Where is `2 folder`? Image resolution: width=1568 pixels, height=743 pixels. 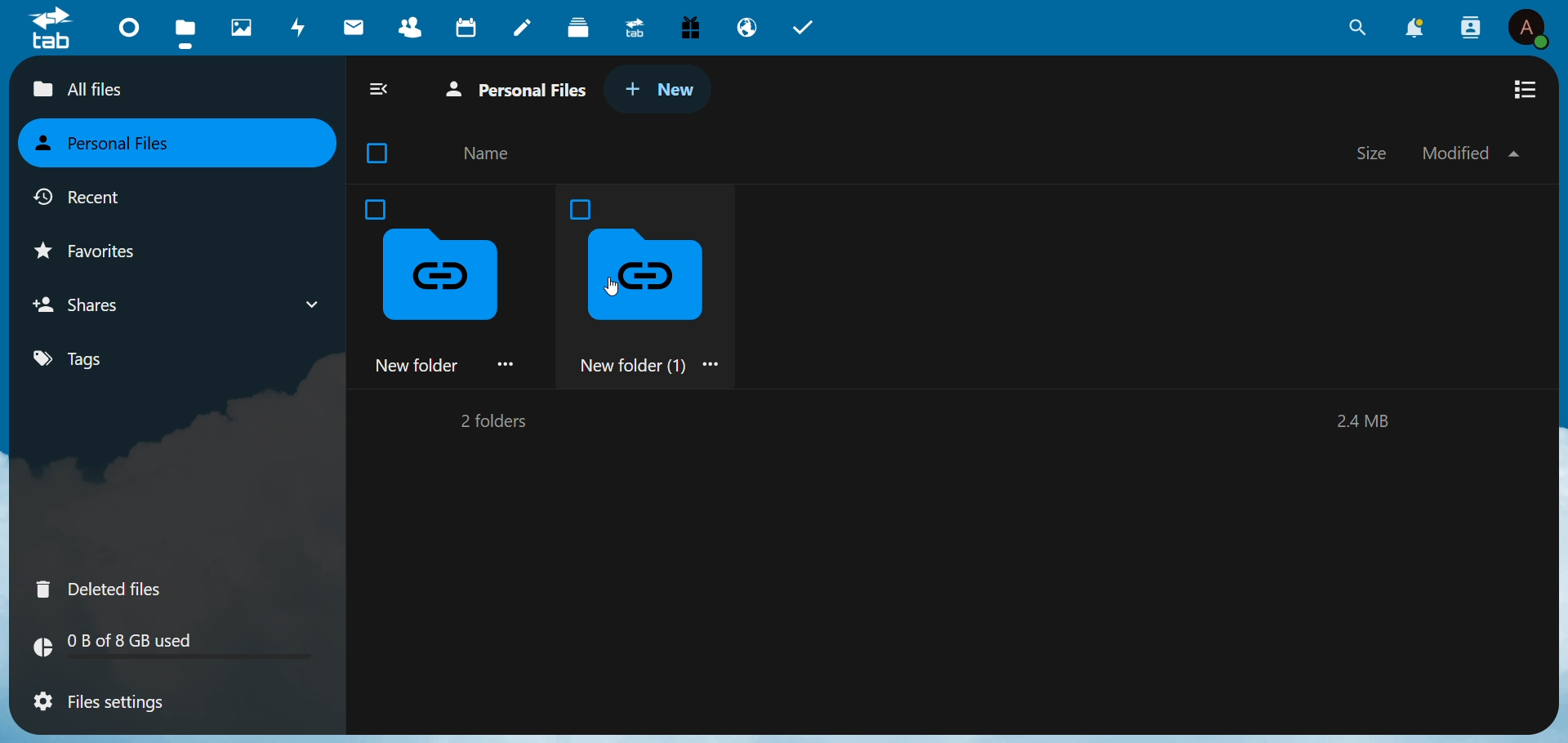
2 folder is located at coordinates (489, 424).